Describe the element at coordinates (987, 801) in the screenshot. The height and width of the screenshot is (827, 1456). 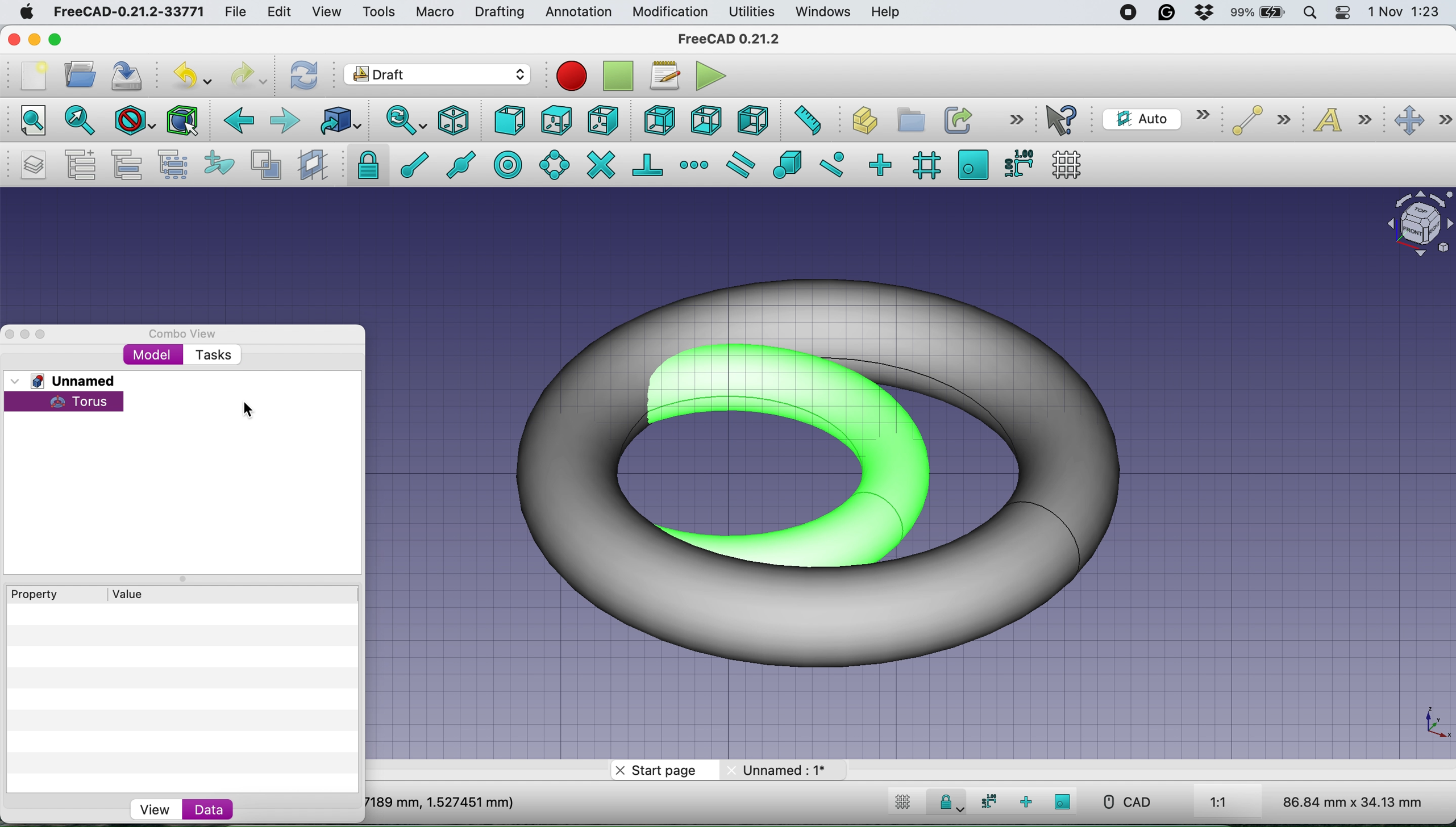
I see `snap dimensions` at that location.